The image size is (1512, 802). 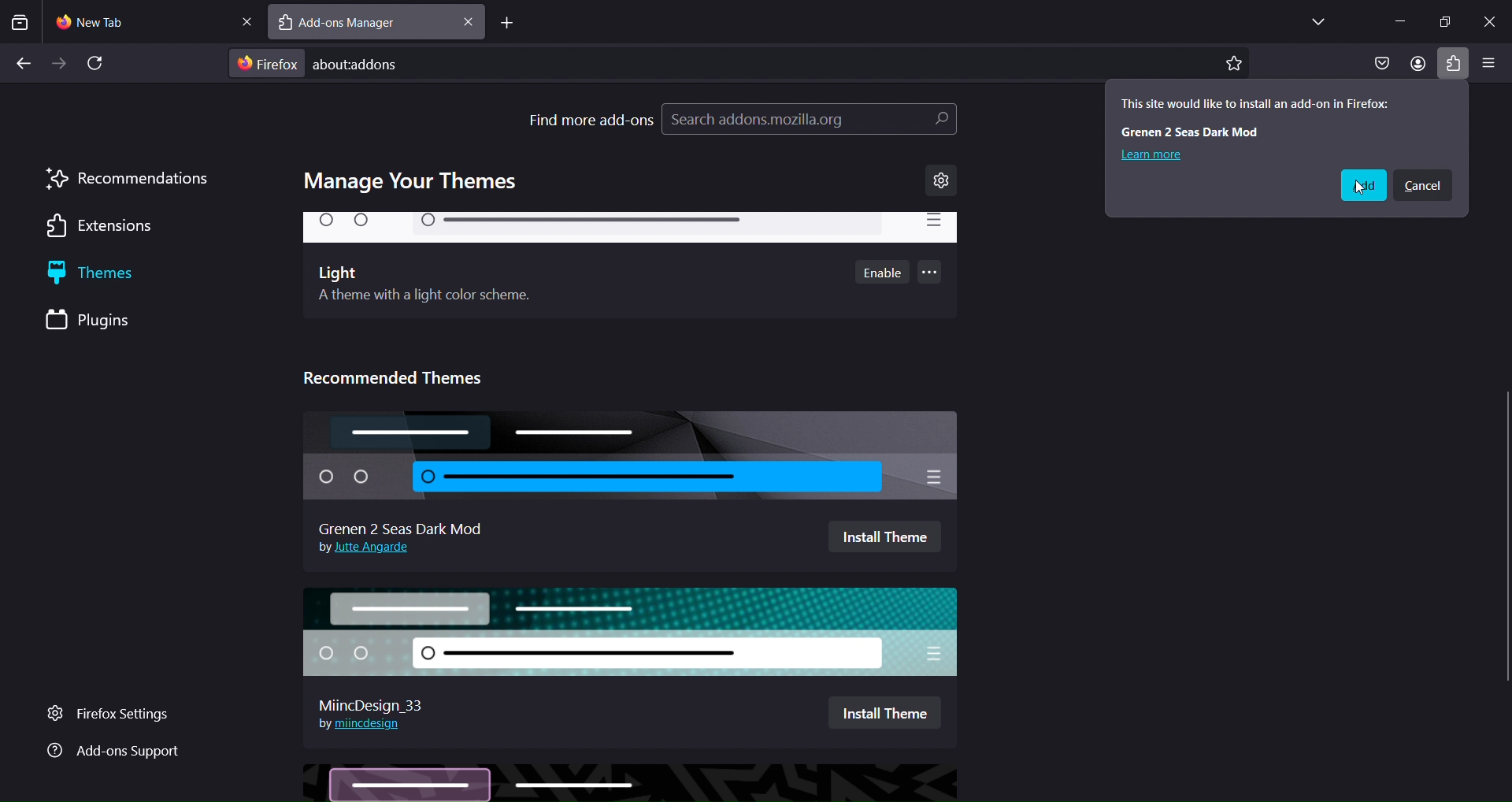 What do you see at coordinates (942, 181) in the screenshot?
I see `settings` at bounding box center [942, 181].